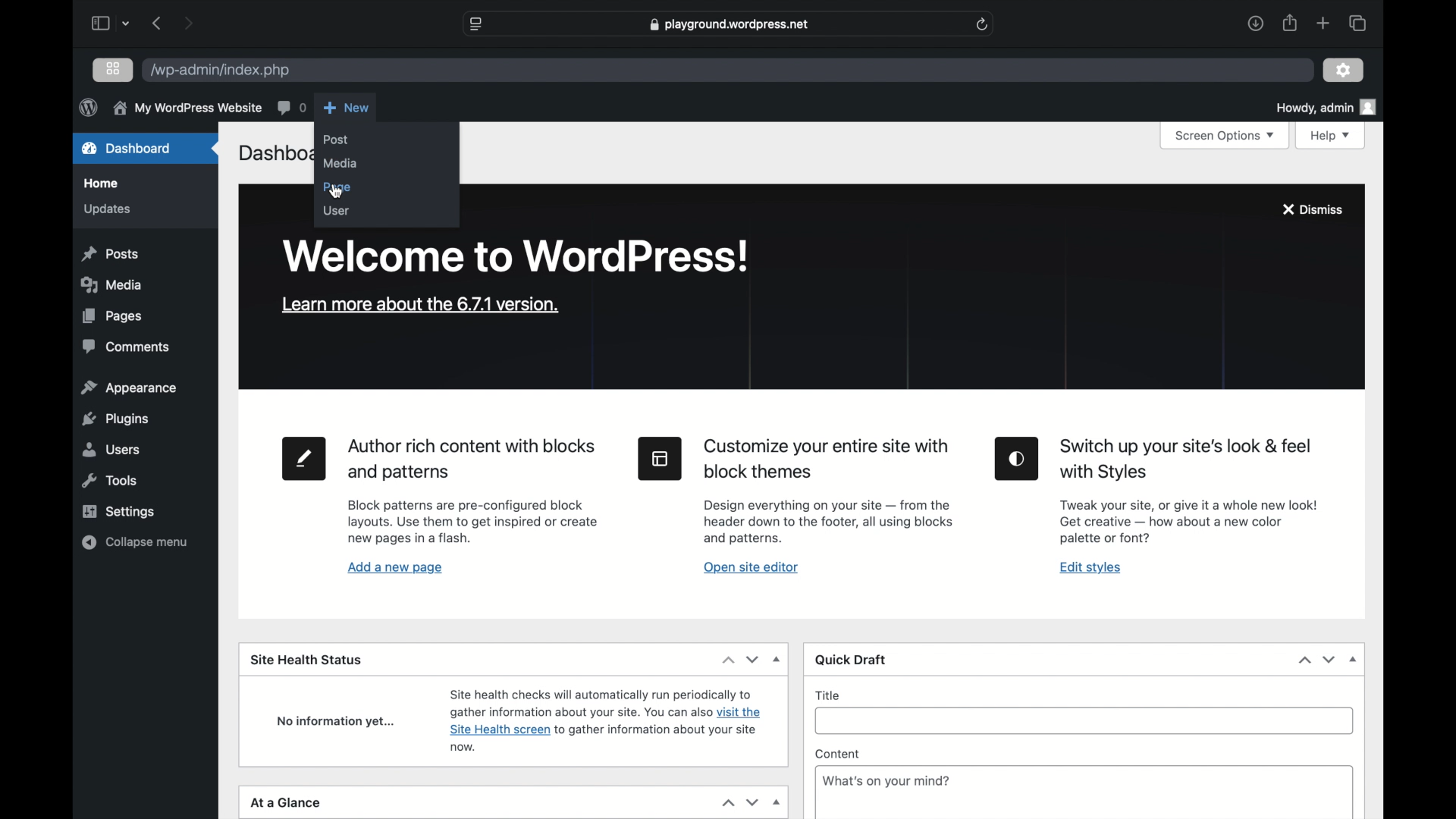  Describe the element at coordinates (340, 163) in the screenshot. I see `media` at that location.